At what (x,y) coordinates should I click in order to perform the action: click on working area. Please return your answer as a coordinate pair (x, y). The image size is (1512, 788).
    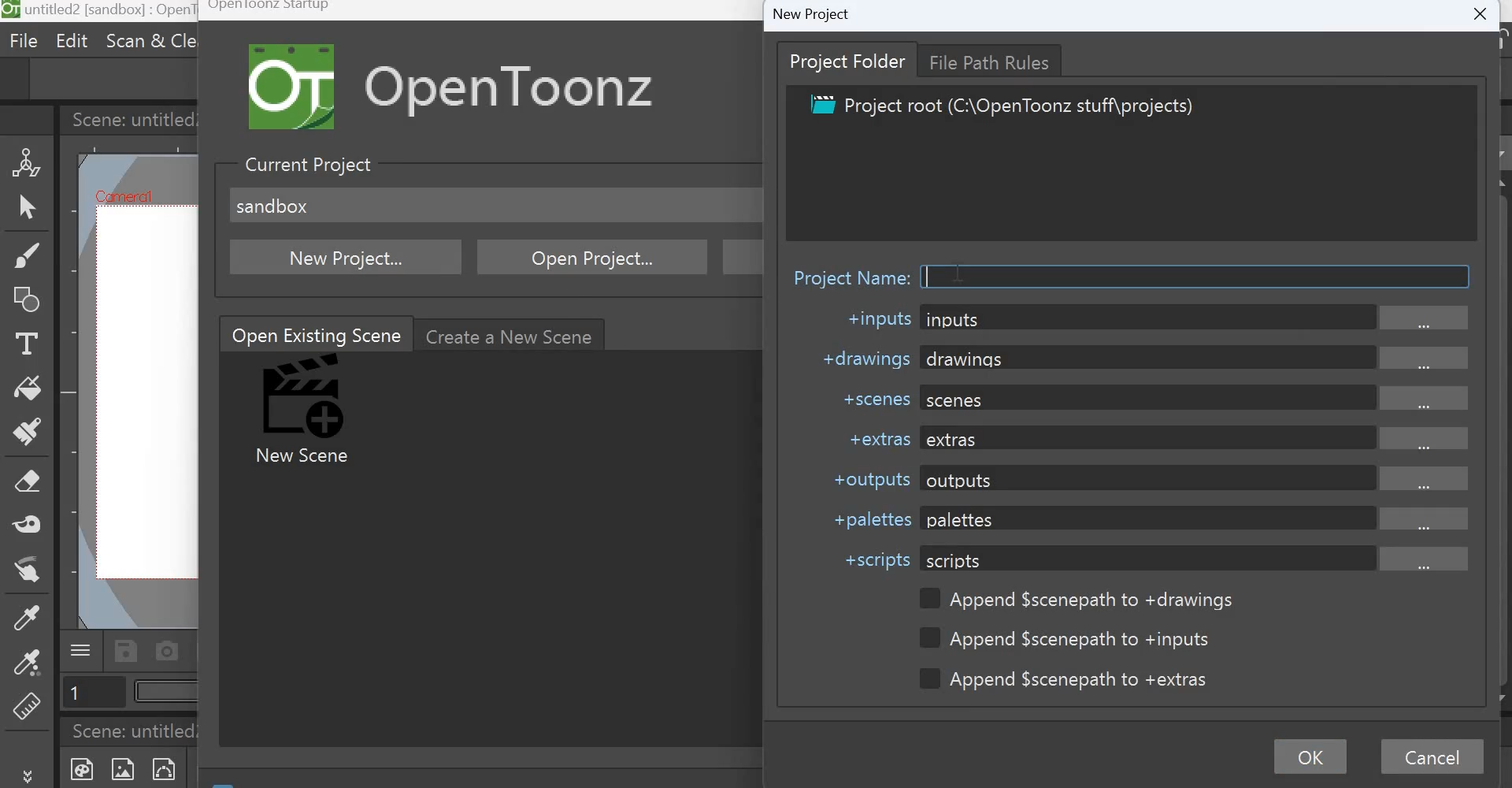
    Looking at the image, I should click on (144, 394).